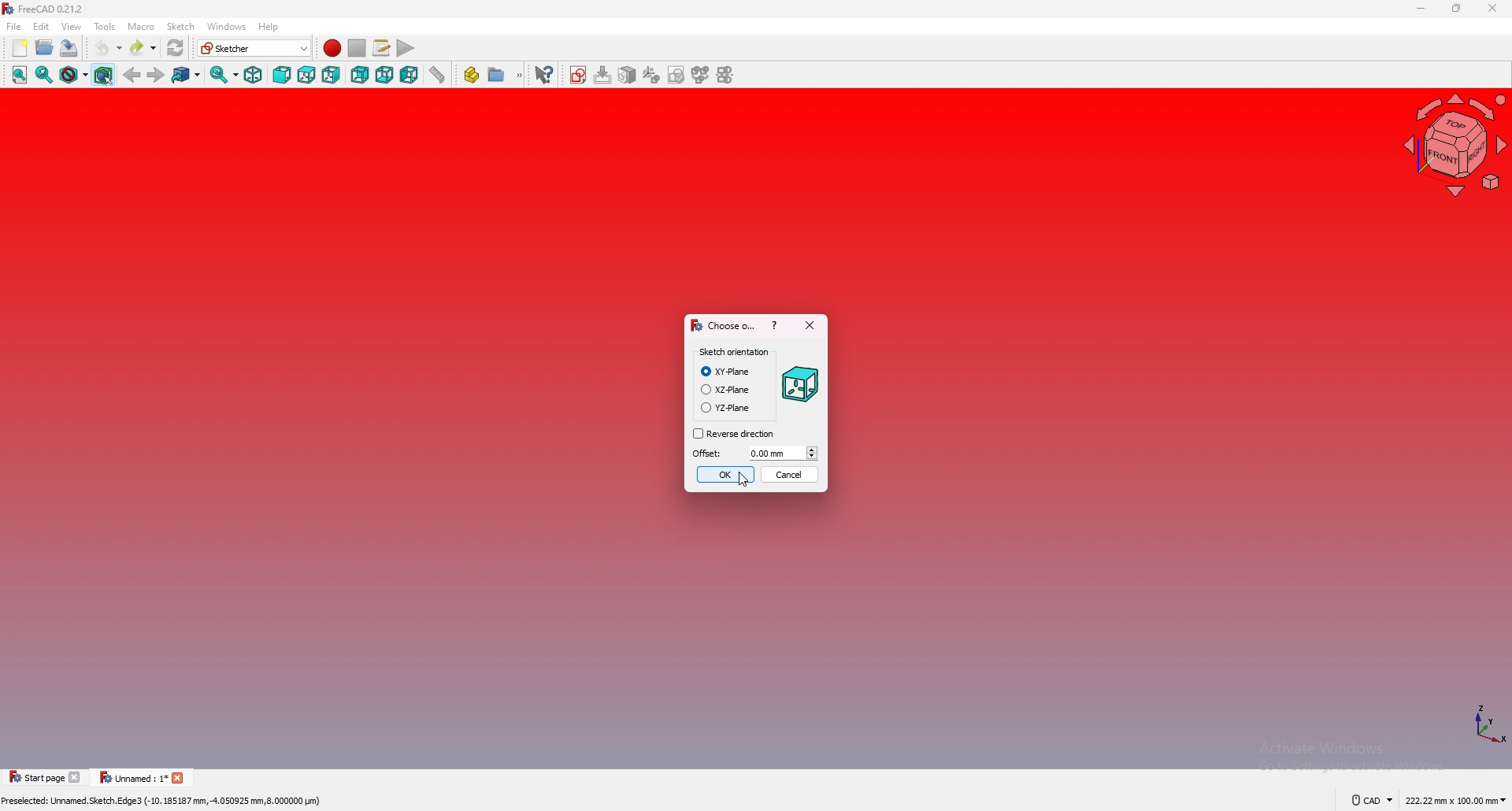  Describe the element at coordinates (254, 75) in the screenshot. I see `isometric` at that location.